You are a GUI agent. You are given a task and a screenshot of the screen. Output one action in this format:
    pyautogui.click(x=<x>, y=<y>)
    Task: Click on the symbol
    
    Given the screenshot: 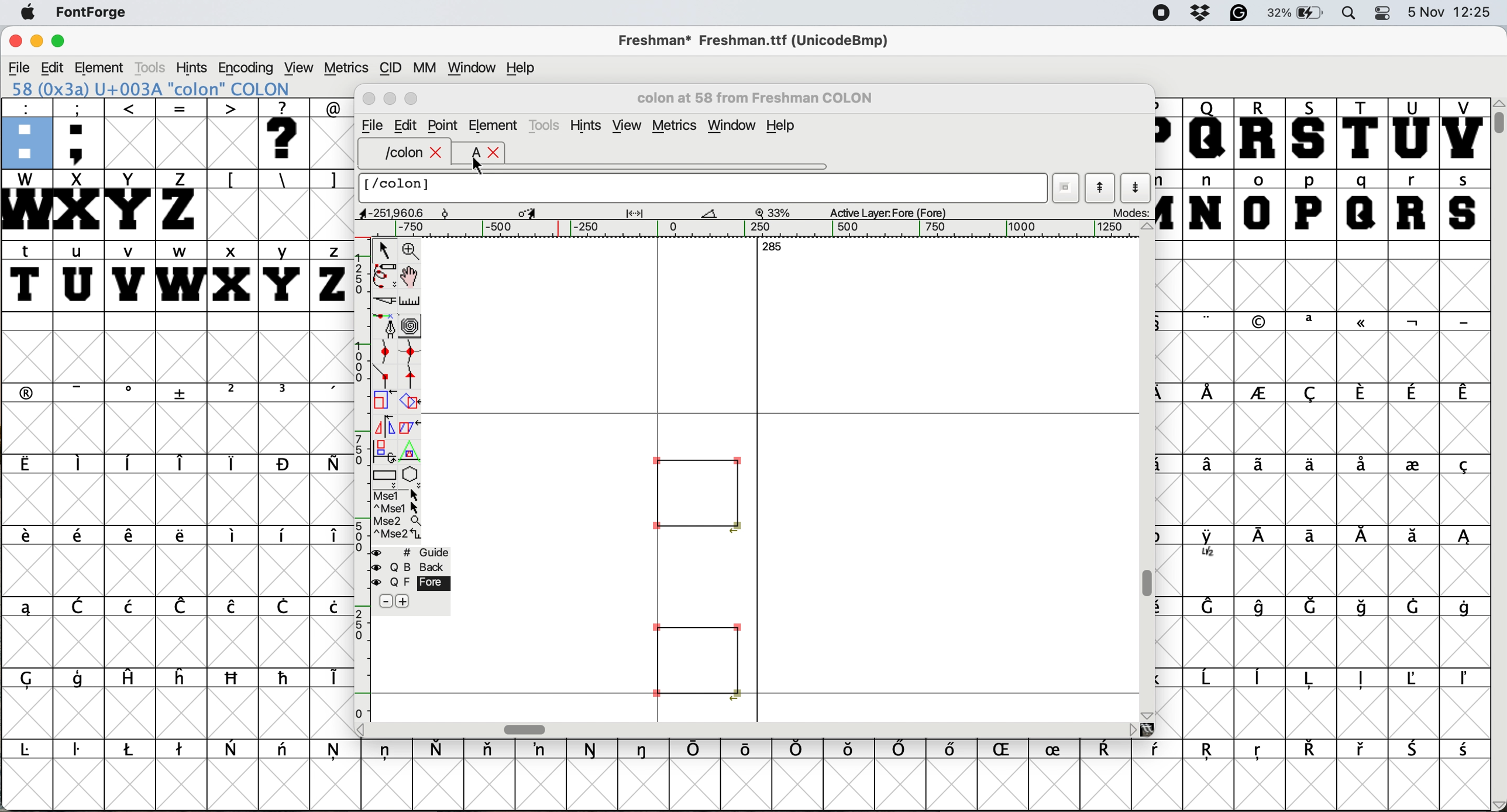 What is the action you would take?
    pyautogui.click(x=1360, y=393)
    